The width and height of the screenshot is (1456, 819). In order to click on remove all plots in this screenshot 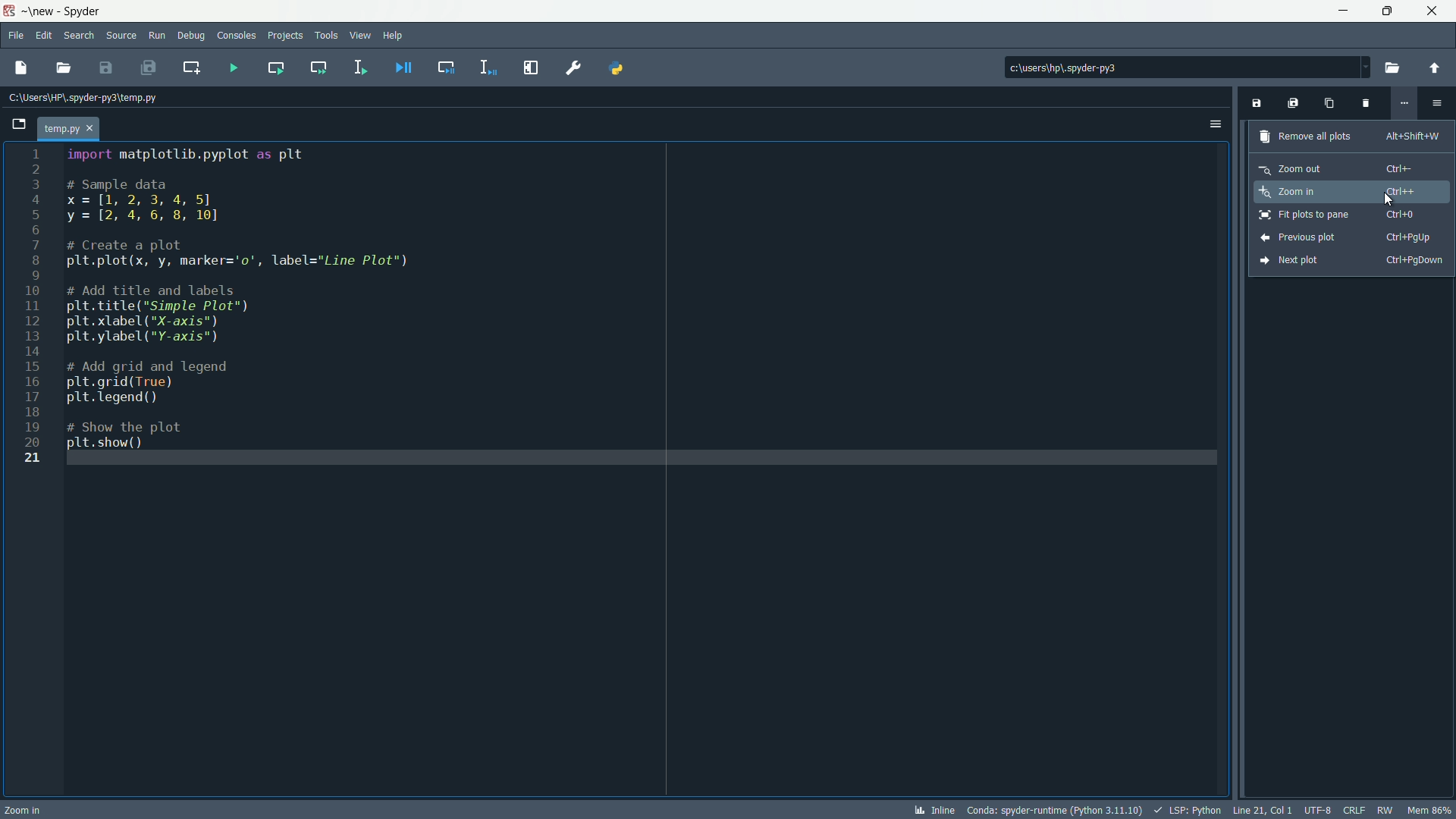, I will do `click(1349, 135)`.